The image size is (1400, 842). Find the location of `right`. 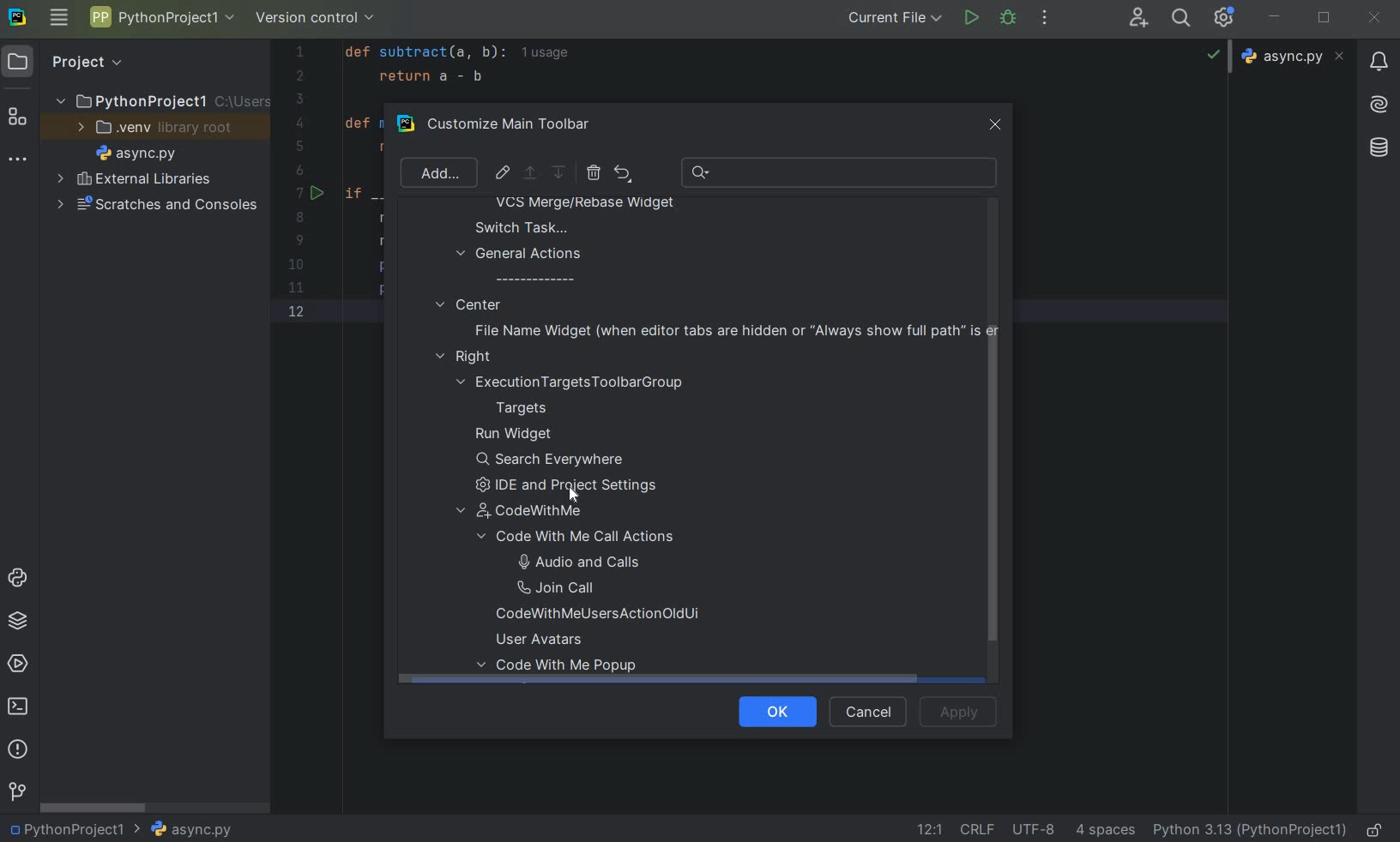

right is located at coordinates (468, 358).